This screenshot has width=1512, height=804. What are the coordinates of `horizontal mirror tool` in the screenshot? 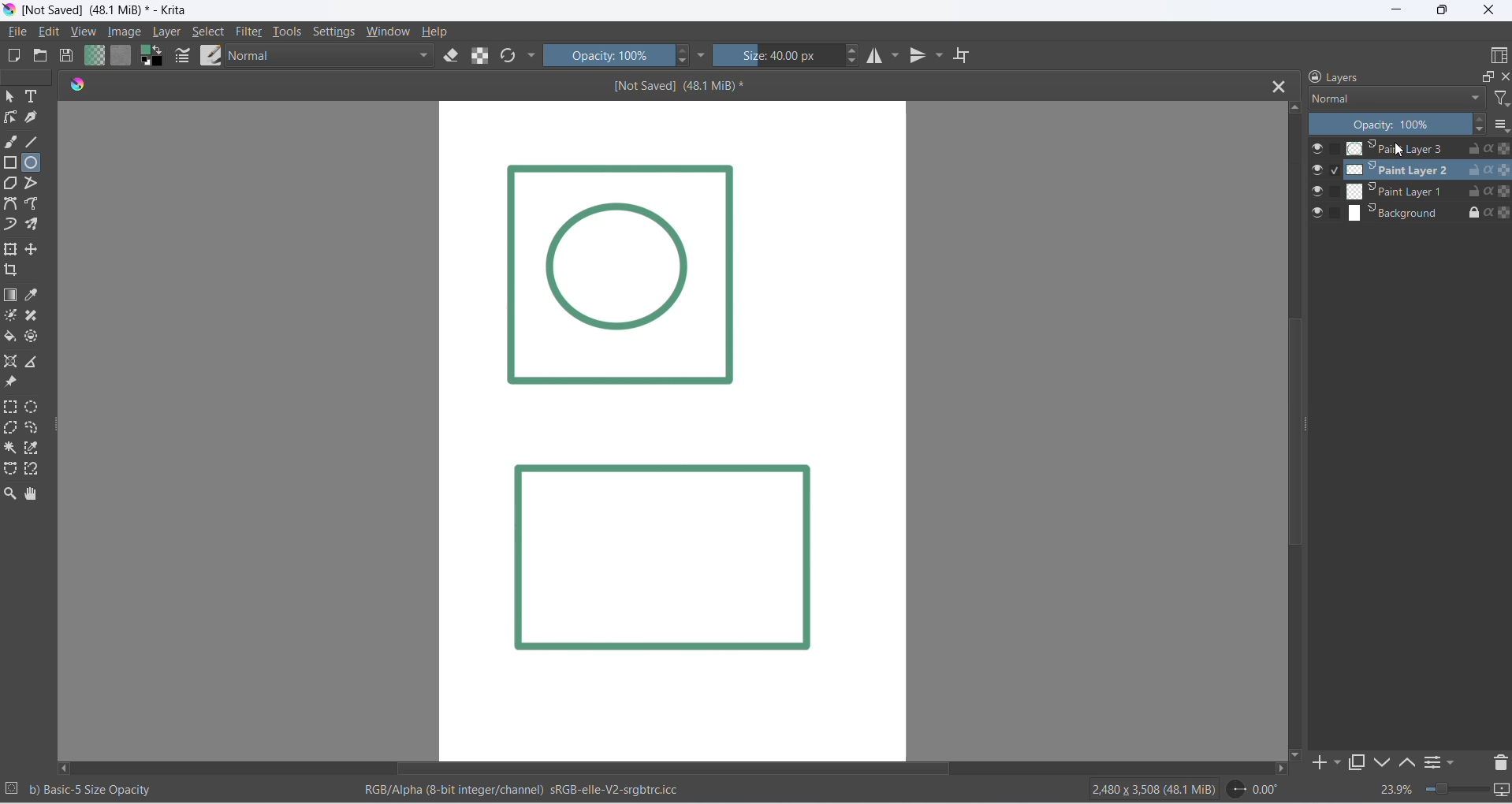 It's located at (884, 56).